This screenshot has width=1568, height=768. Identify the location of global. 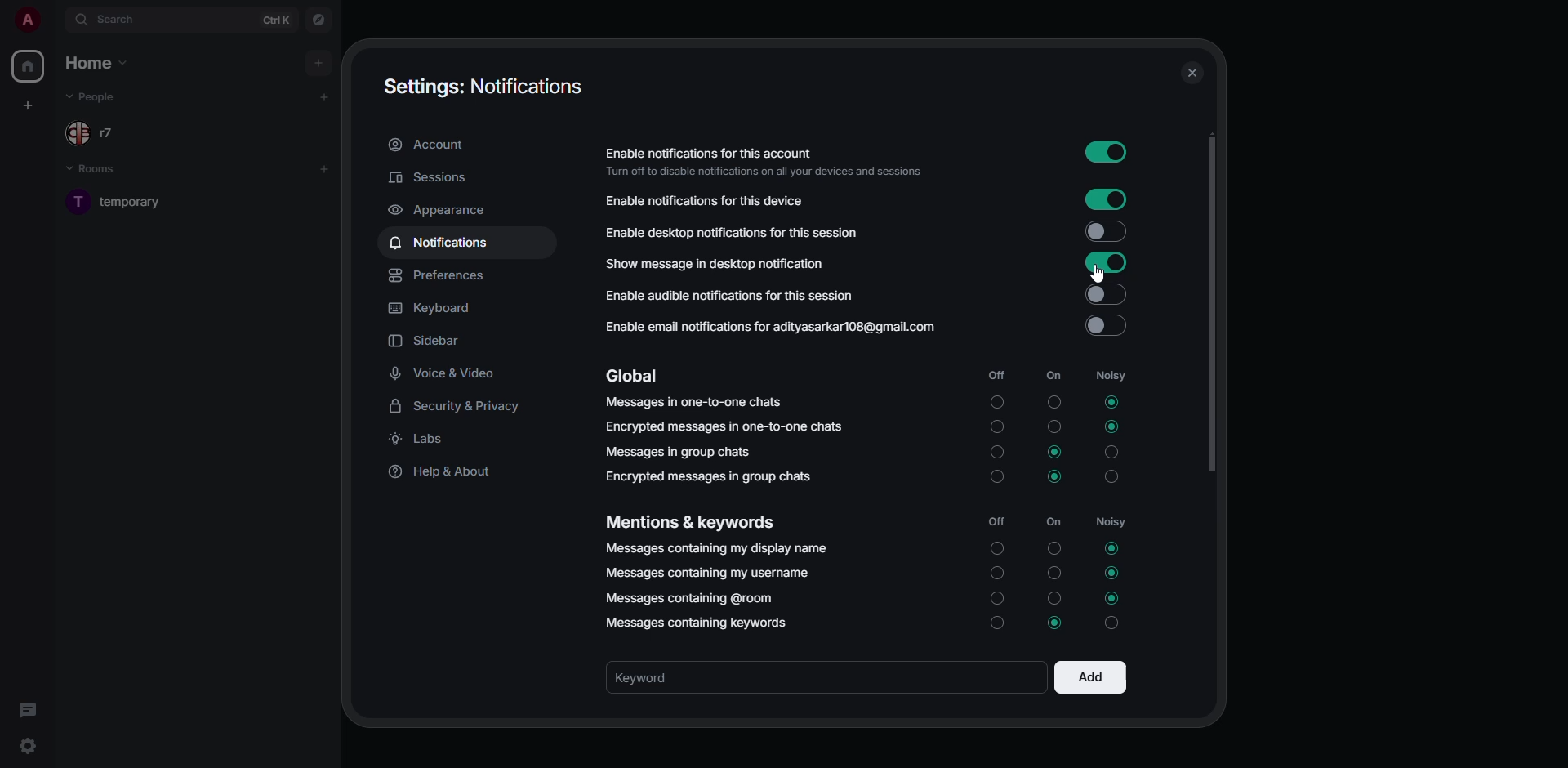
(637, 377).